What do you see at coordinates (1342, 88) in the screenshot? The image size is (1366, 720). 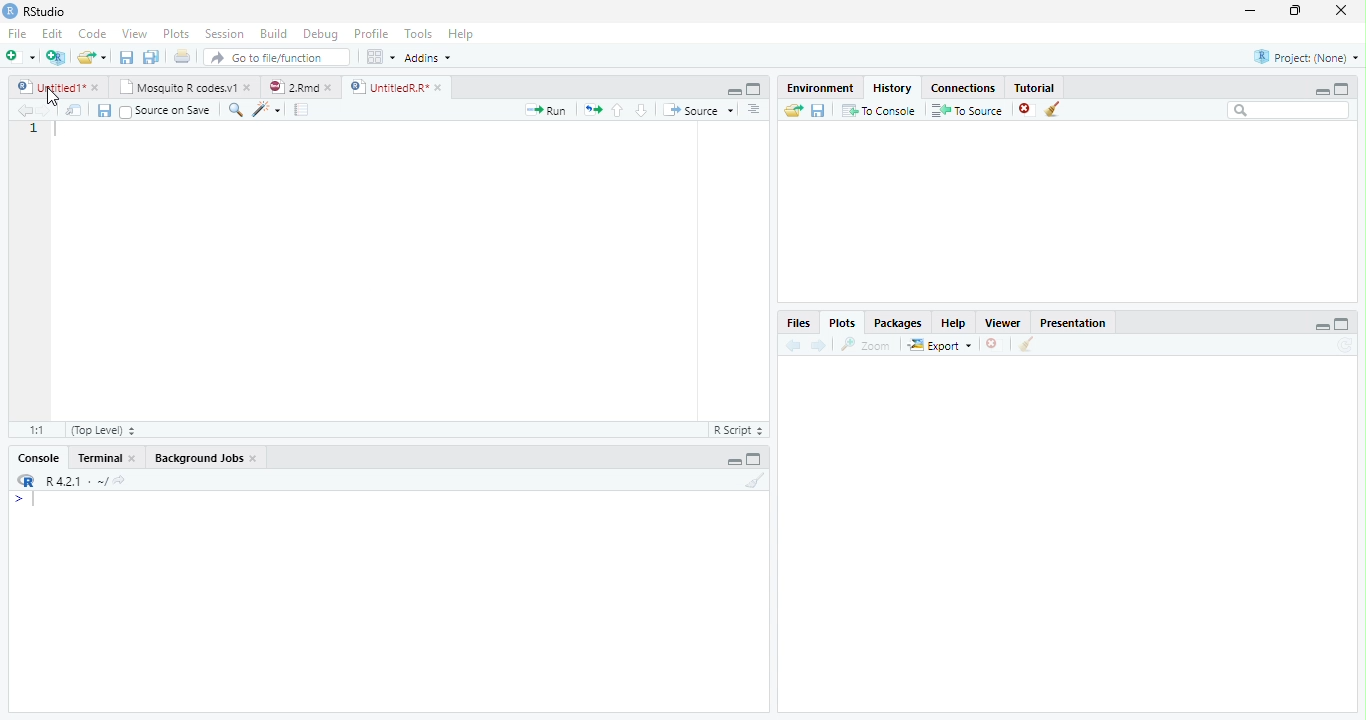 I see `maximize` at bounding box center [1342, 88].